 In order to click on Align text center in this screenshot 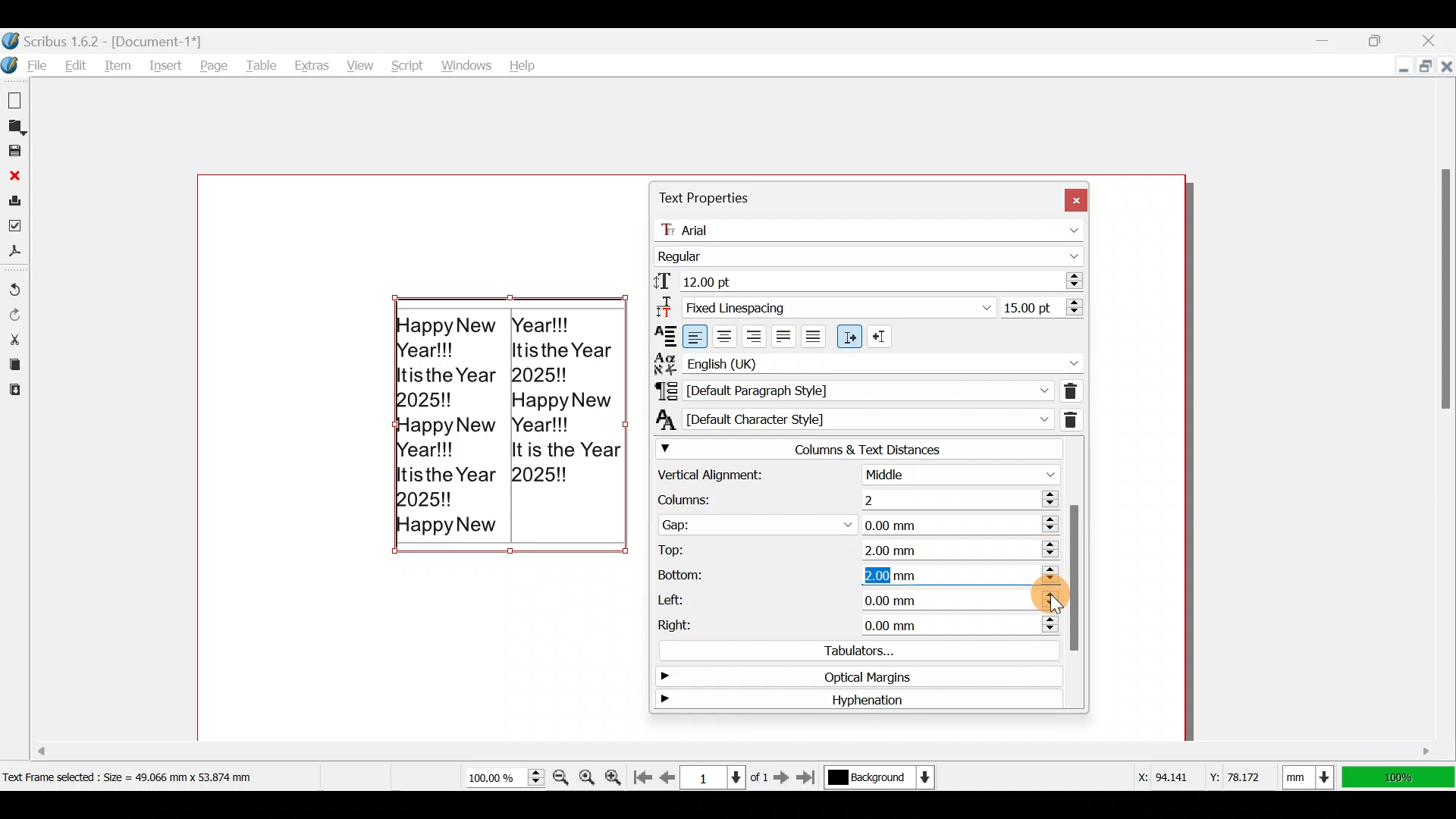, I will do `click(727, 334)`.